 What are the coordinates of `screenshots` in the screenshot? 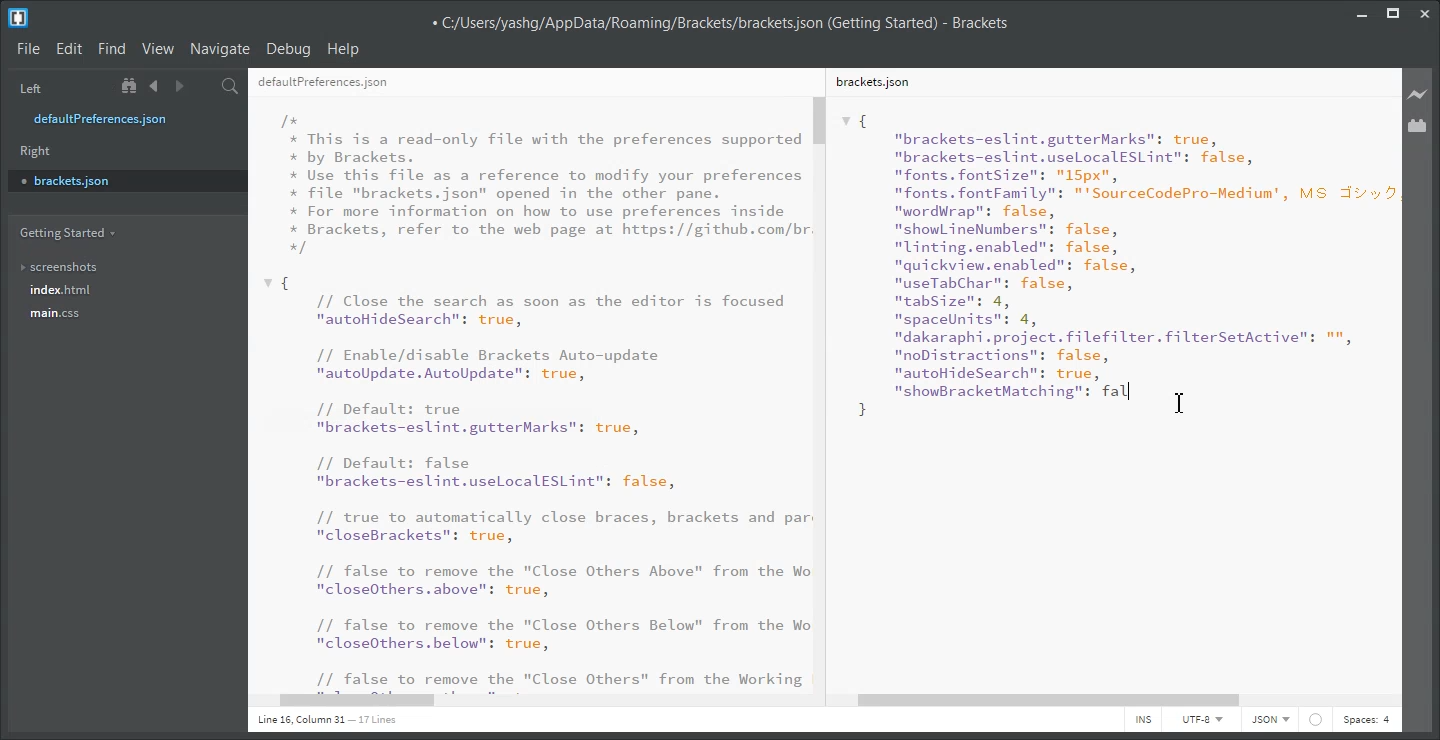 It's located at (60, 263).